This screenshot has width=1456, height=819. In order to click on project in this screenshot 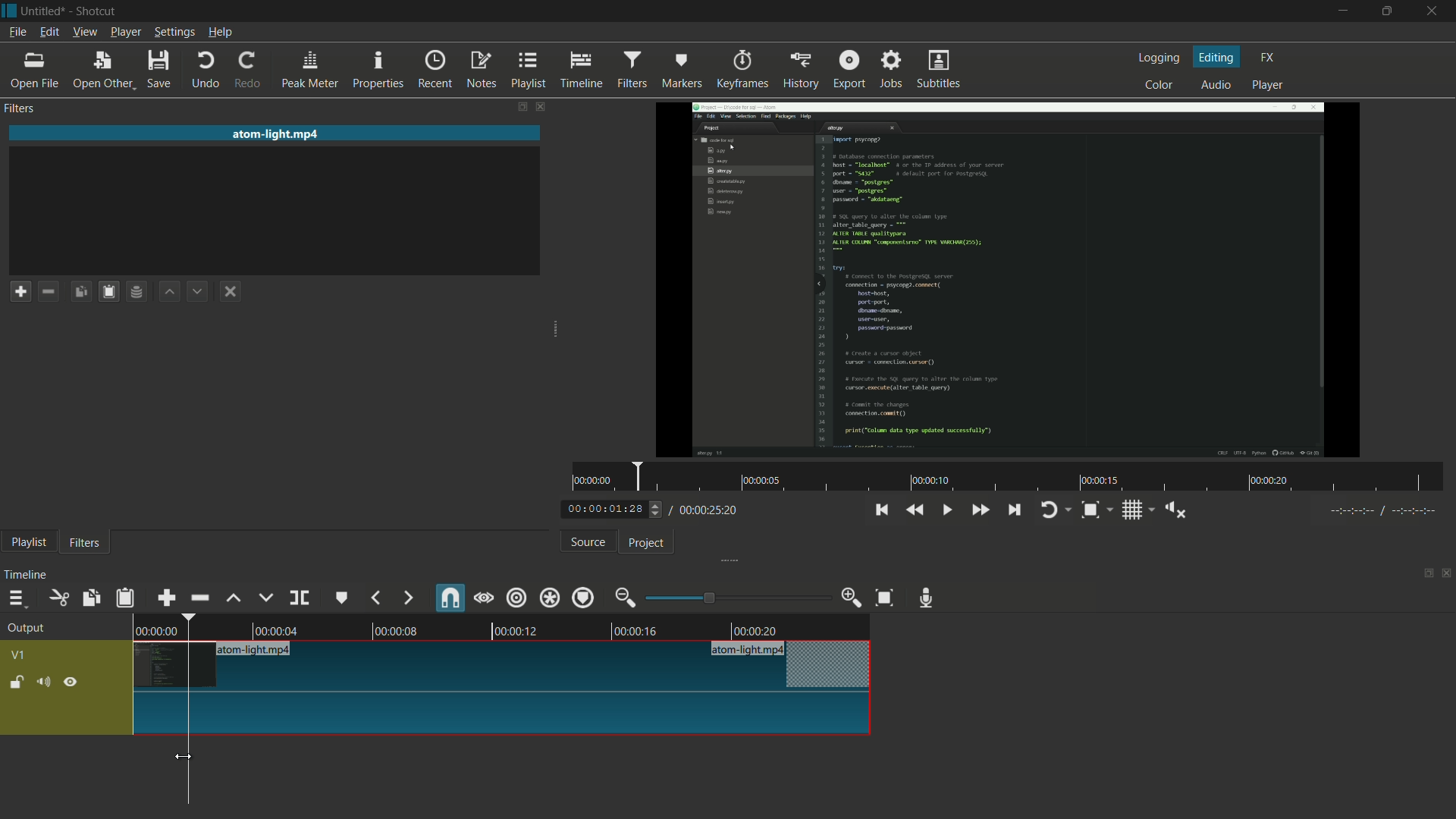, I will do `click(648, 544)`.